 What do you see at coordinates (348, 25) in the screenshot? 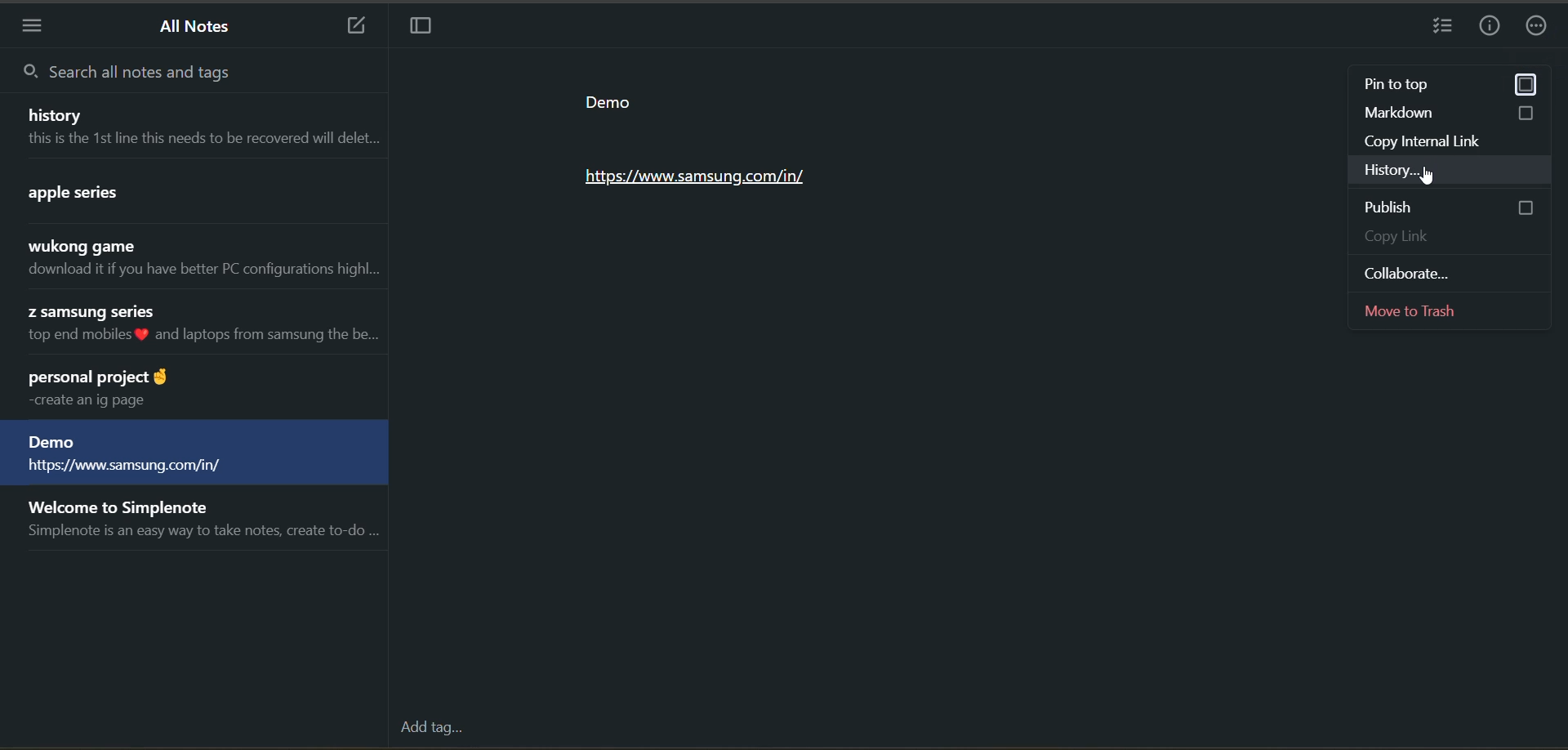
I see `new note` at bounding box center [348, 25].